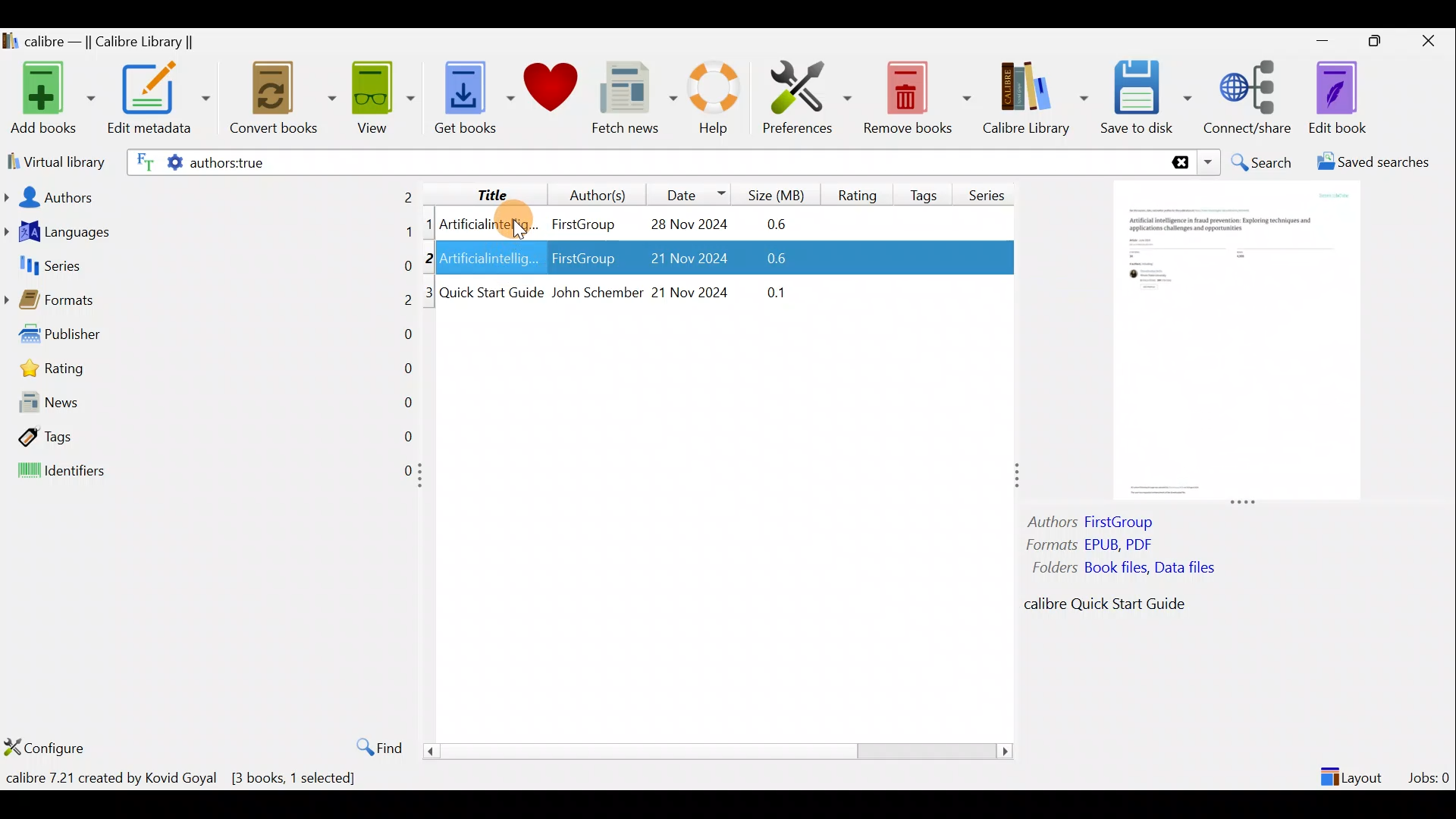  Describe the element at coordinates (1263, 162) in the screenshot. I see `Search` at that location.